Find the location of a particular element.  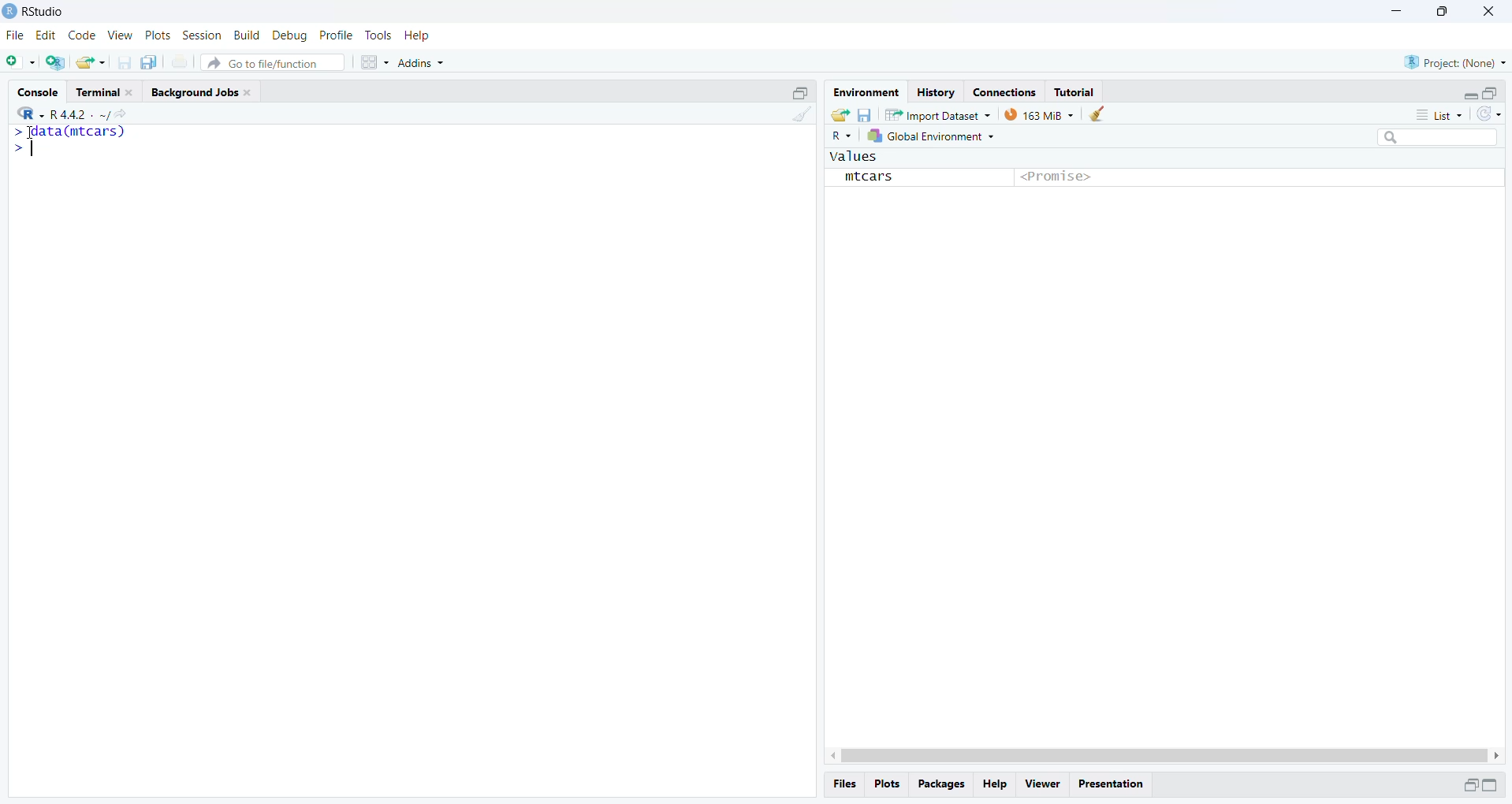

list is located at coordinates (1442, 115).